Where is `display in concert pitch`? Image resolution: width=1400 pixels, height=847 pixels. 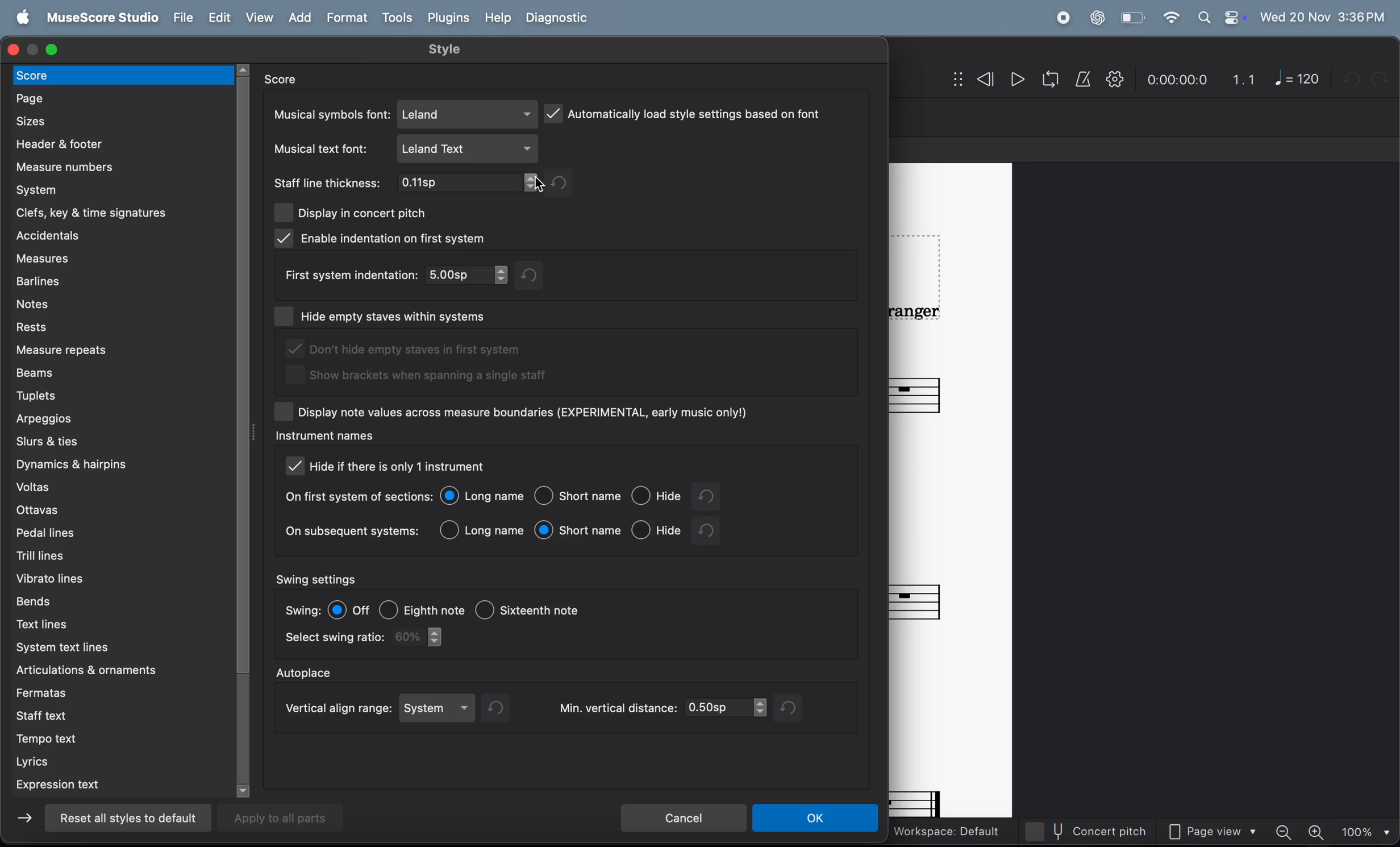 display in concert pitch is located at coordinates (352, 211).